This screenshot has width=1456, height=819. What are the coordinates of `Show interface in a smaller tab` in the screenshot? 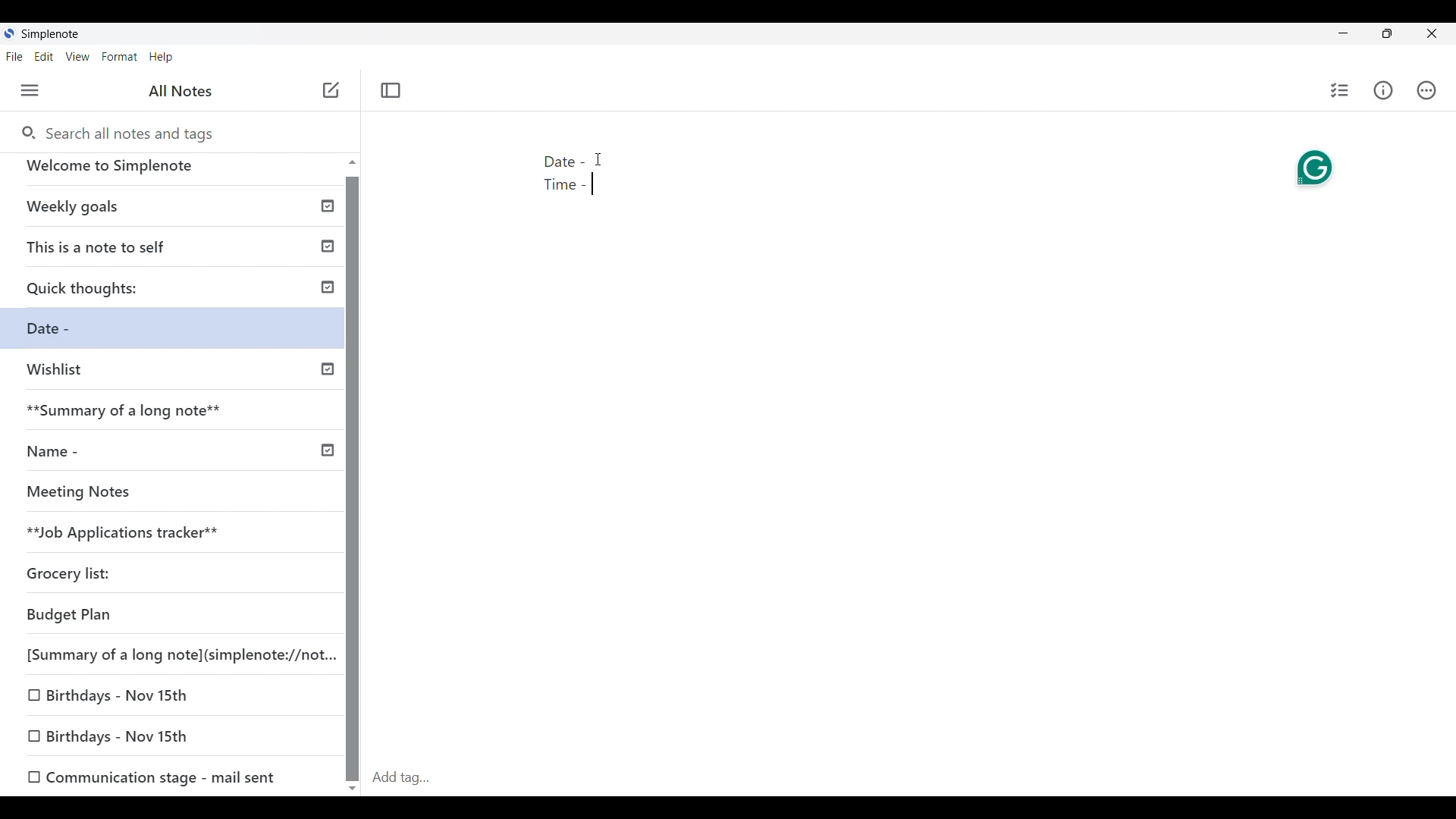 It's located at (1387, 33).